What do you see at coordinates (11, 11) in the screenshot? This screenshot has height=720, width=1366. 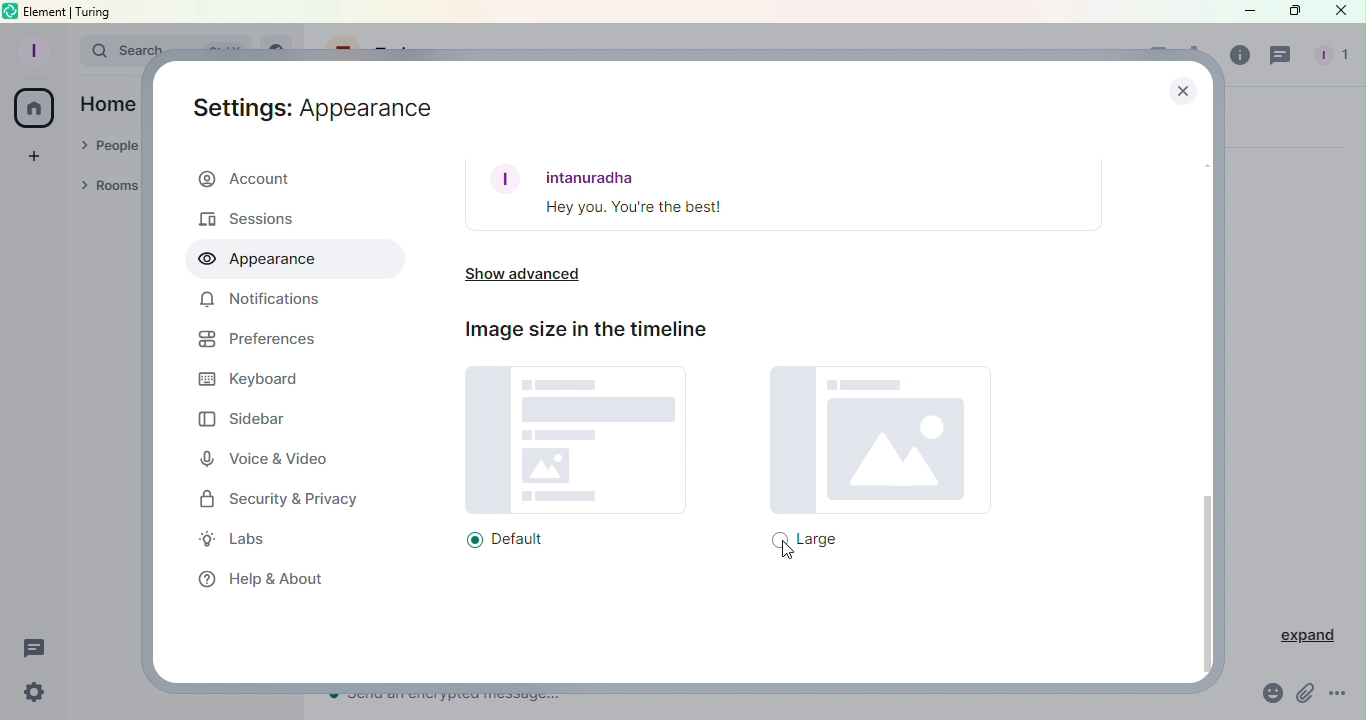 I see `Element icon` at bounding box center [11, 11].